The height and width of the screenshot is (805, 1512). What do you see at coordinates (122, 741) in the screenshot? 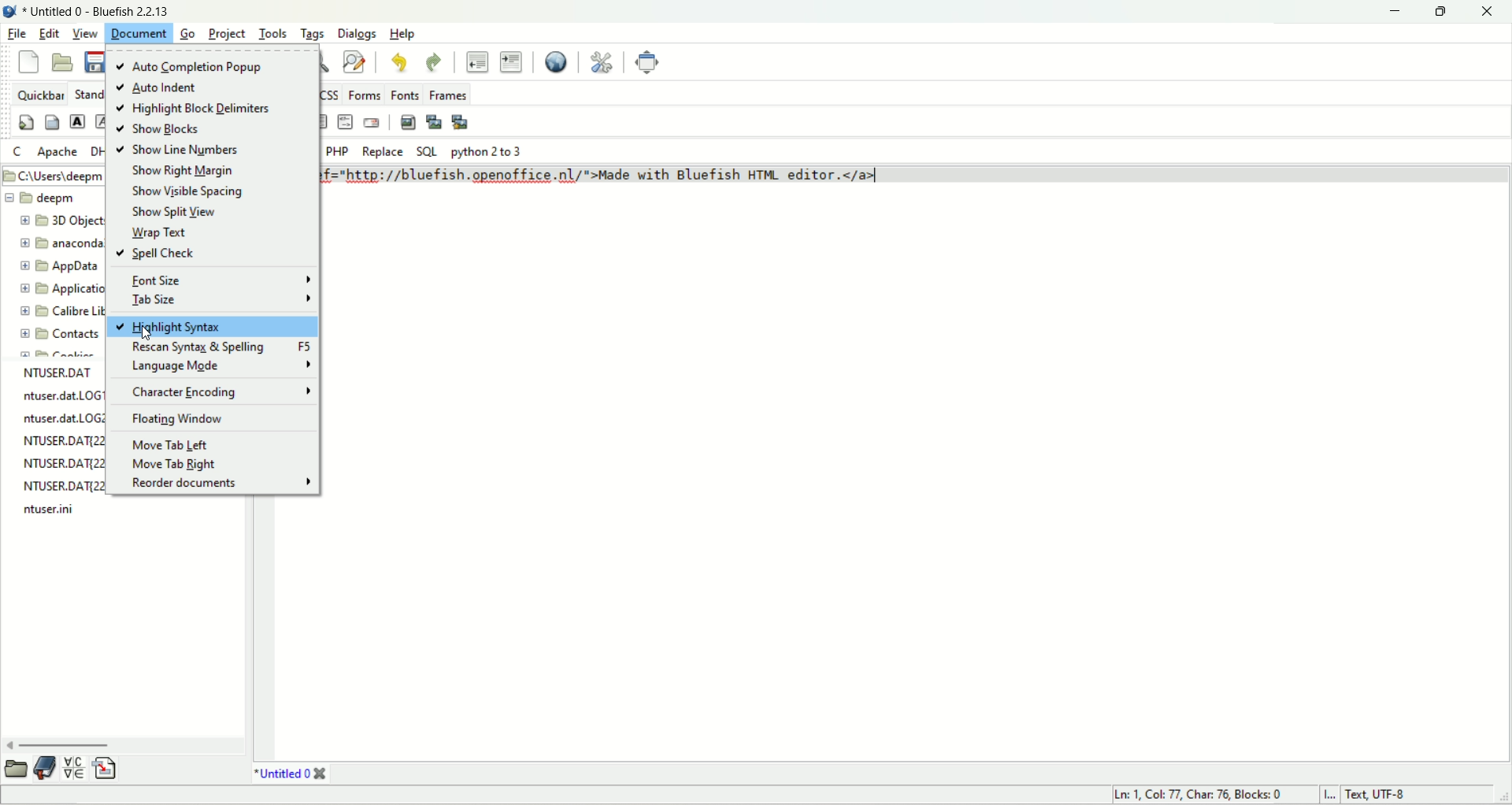
I see `horizontal scroll bar` at bounding box center [122, 741].